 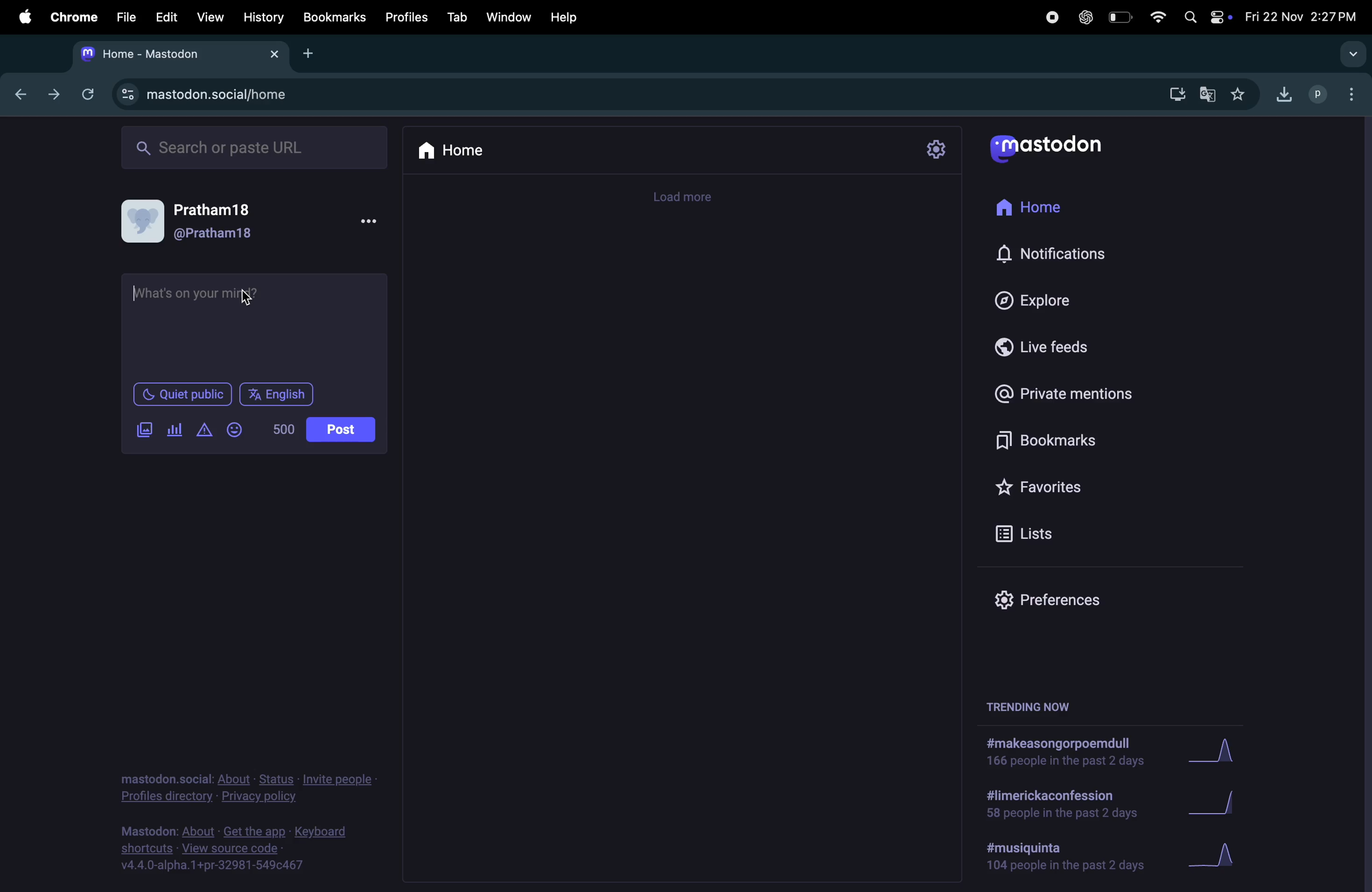 What do you see at coordinates (463, 150) in the screenshot?
I see `home` at bounding box center [463, 150].